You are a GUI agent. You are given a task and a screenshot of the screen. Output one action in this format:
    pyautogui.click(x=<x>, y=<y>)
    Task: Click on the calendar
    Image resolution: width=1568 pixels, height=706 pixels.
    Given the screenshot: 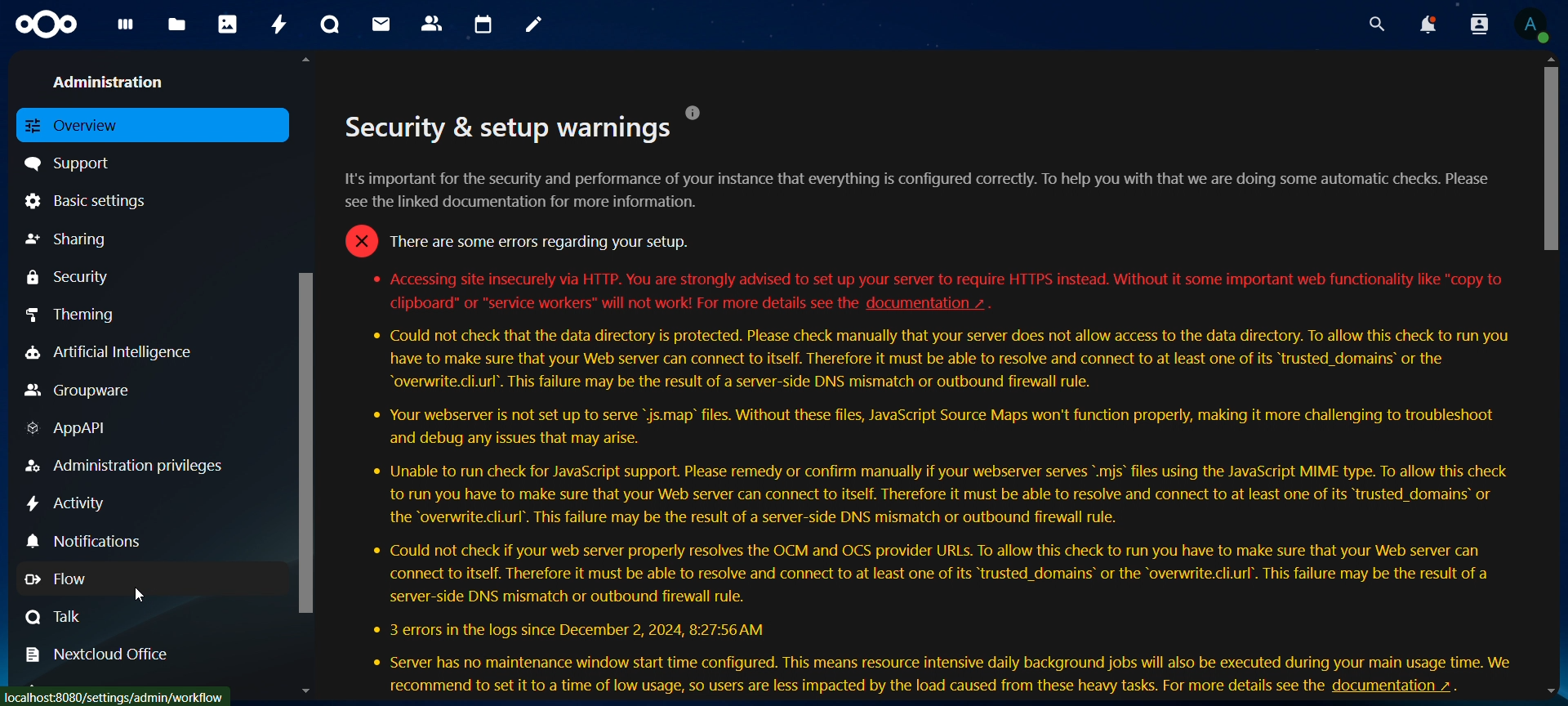 What is the action you would take?
    pyautogui.click(x=484, y=25)
    